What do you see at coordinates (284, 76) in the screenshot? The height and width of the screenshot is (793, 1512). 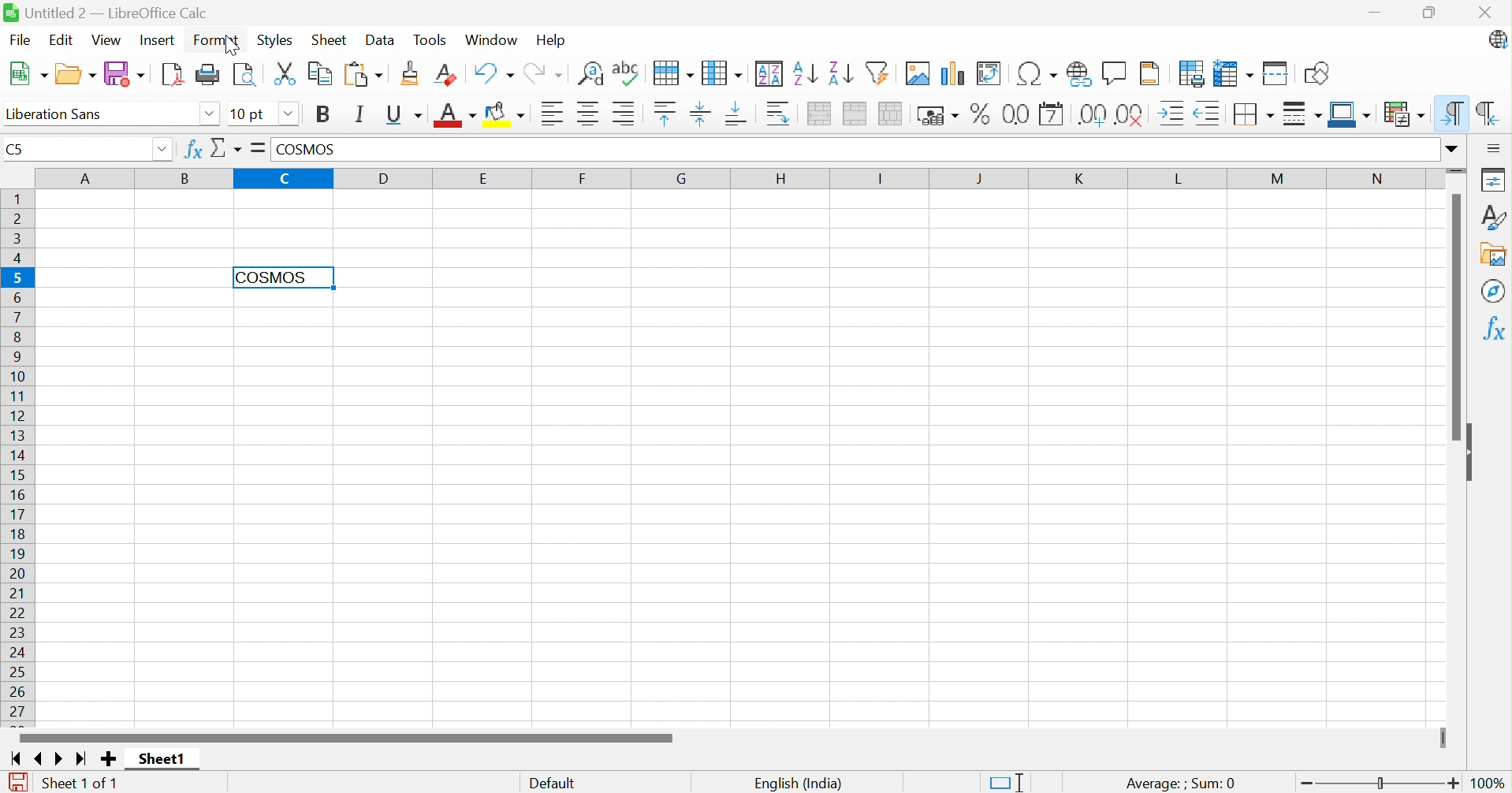 I see `Cut` at bounding box center [284, 76].